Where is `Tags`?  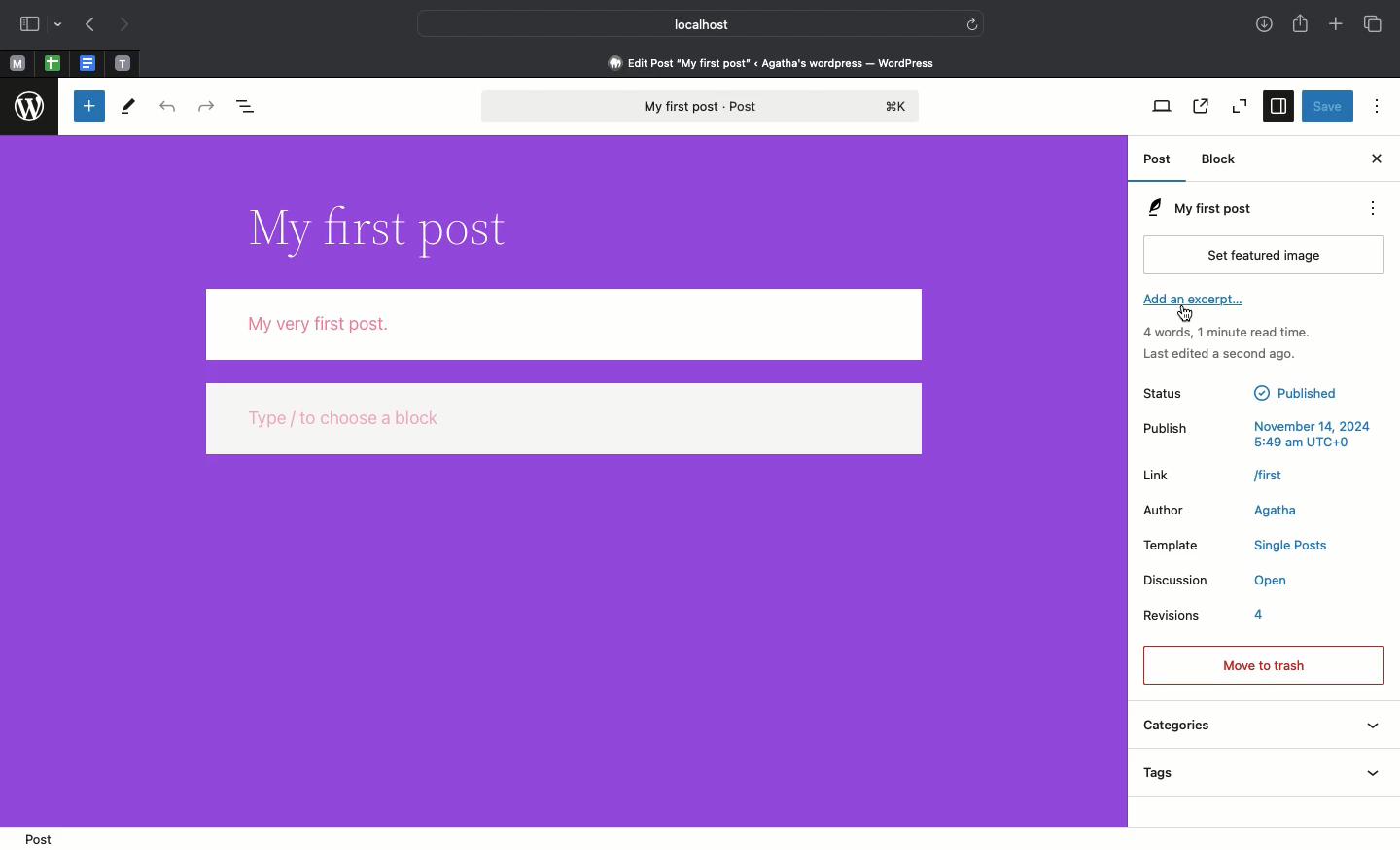
Tags is located at coordinates (1259, 775).